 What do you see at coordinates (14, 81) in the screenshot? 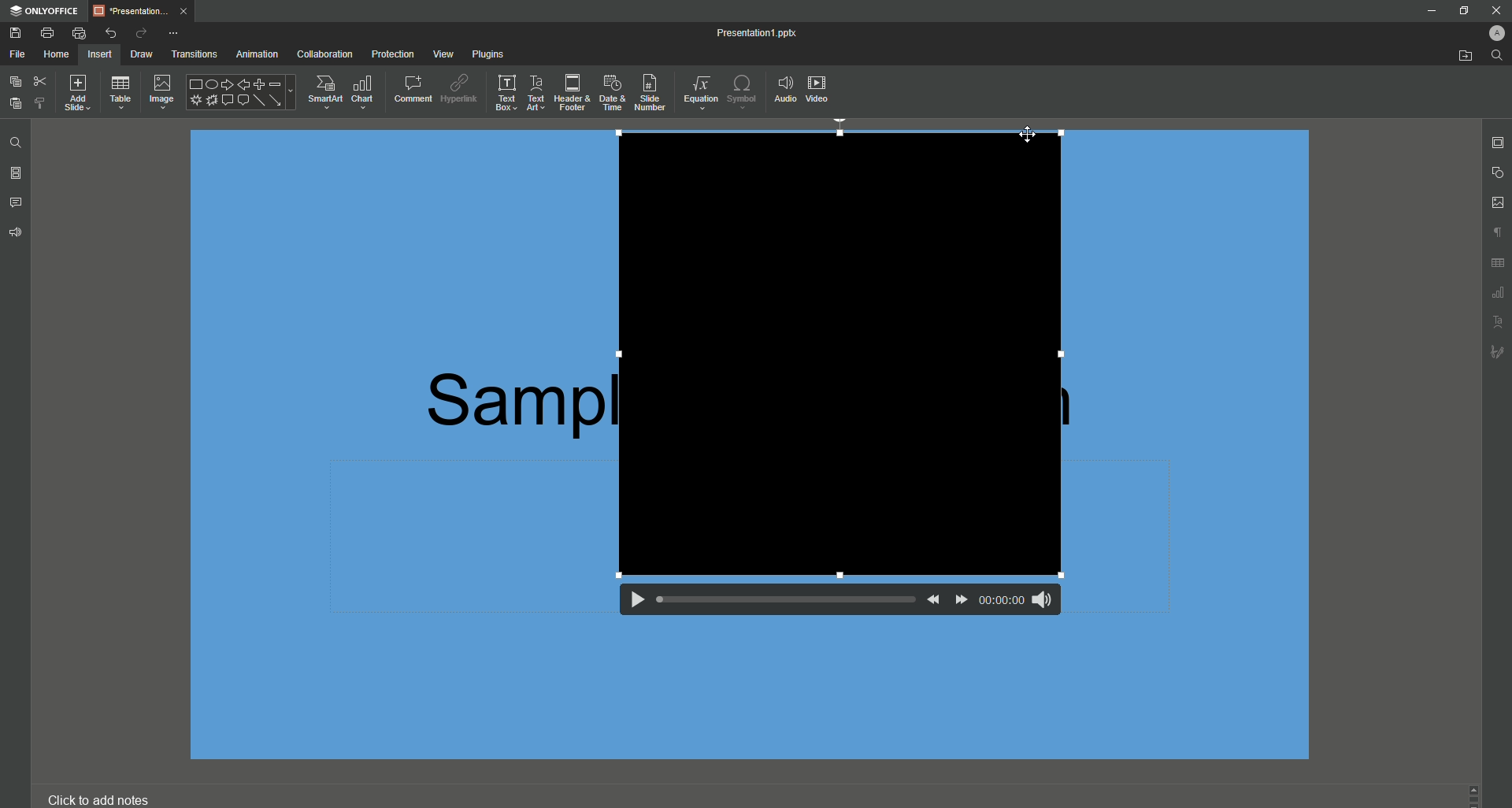
I see `Copy` at bounding box center [14, 81].